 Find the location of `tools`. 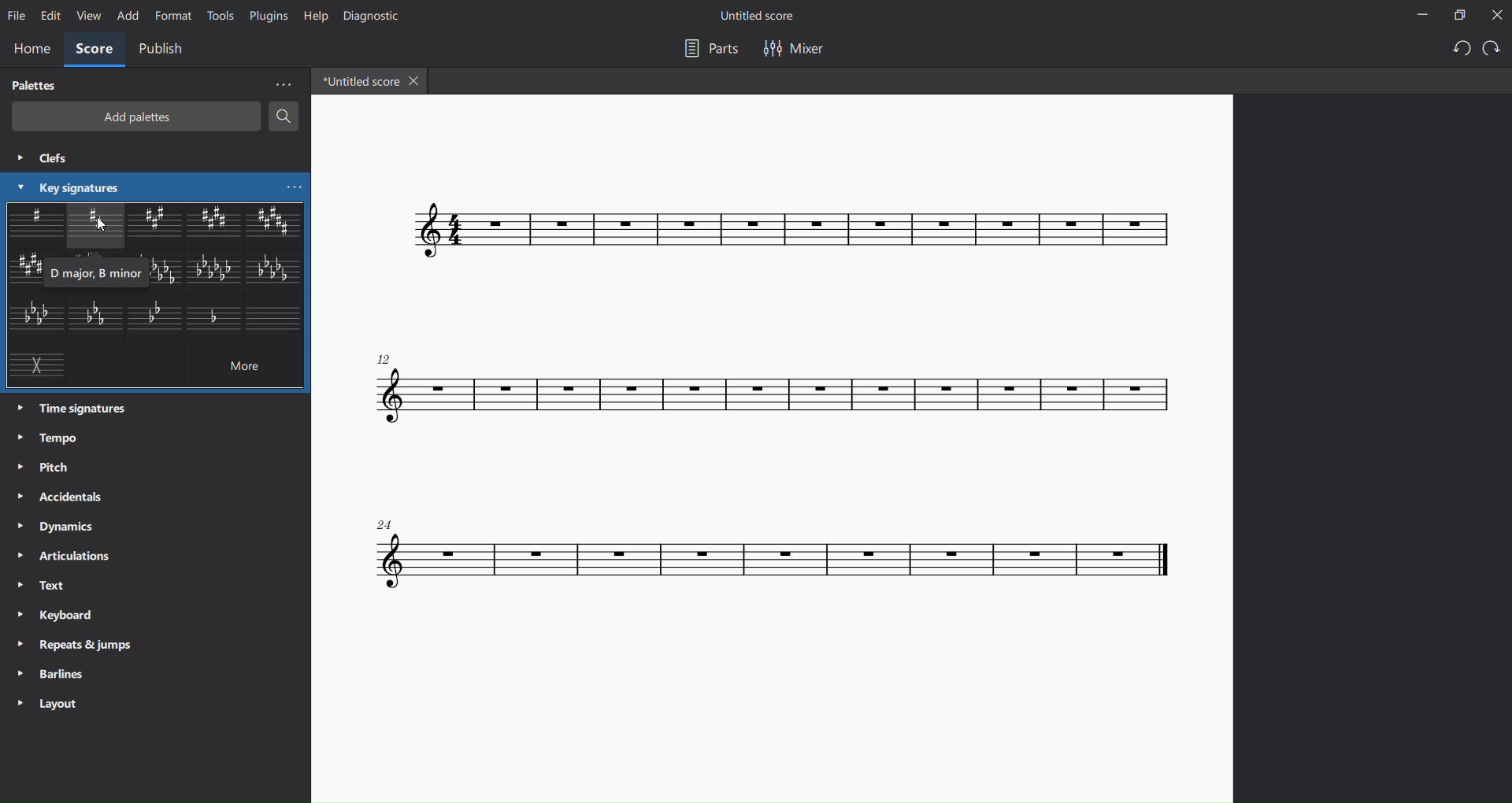

tools is located at coordinates (219, 13).